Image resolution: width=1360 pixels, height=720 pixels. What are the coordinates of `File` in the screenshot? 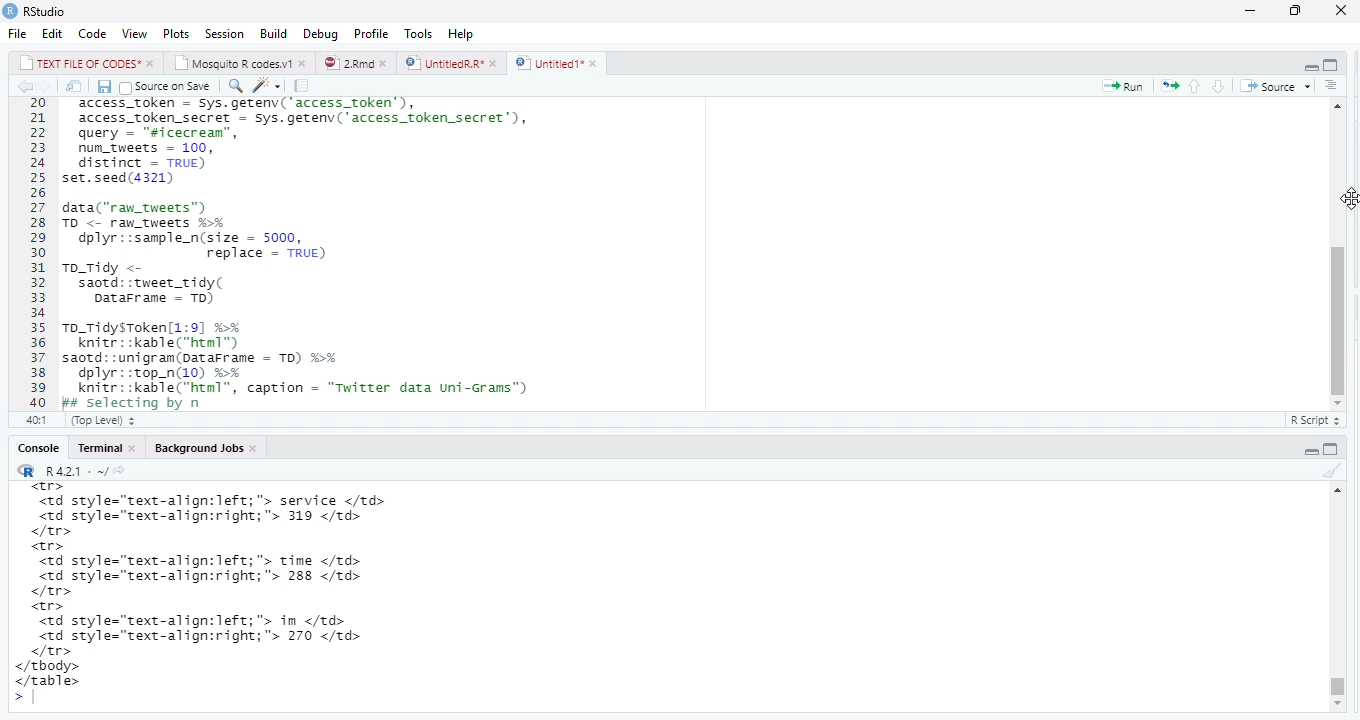 It's located at (17, 31).